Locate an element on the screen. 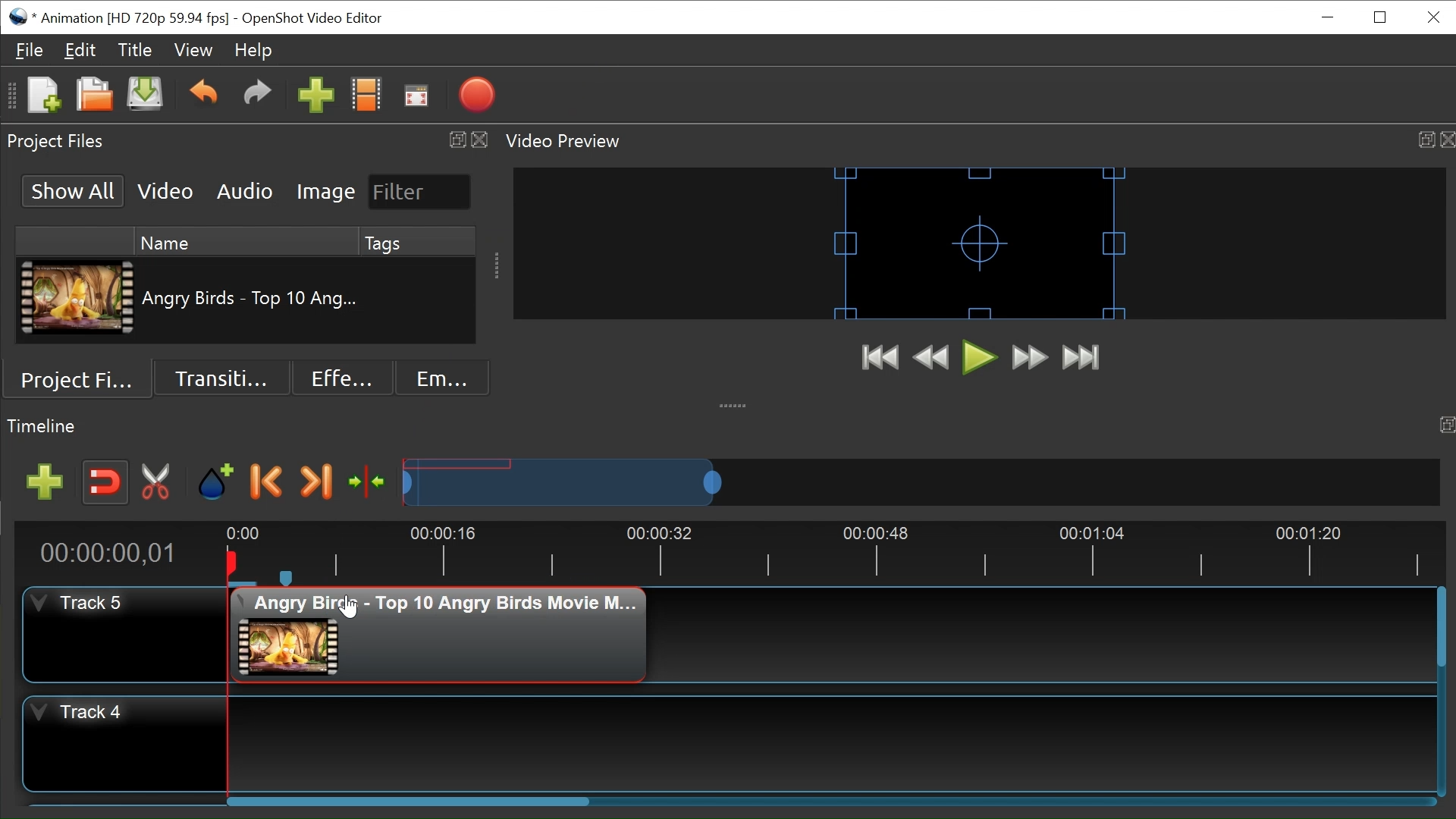 Image resolution: width=1456 pixels, height=819 pixels. Track Header is located at coordinates (126, 633).